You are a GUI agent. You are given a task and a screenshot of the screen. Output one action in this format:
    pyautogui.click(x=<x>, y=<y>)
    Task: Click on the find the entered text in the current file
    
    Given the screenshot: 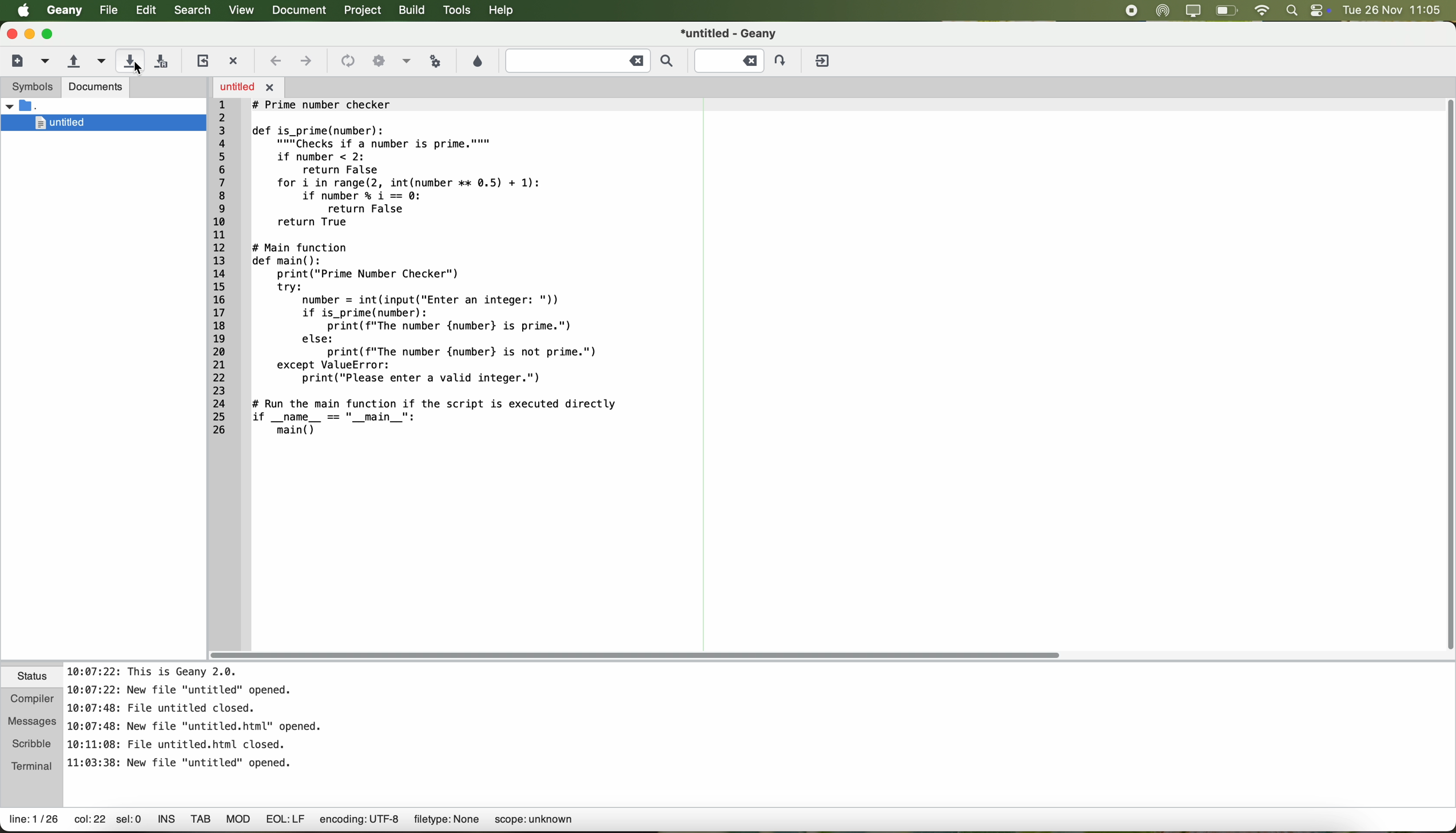 What is the action you would take?
    pyautogui.click(x=590, y=62)
    